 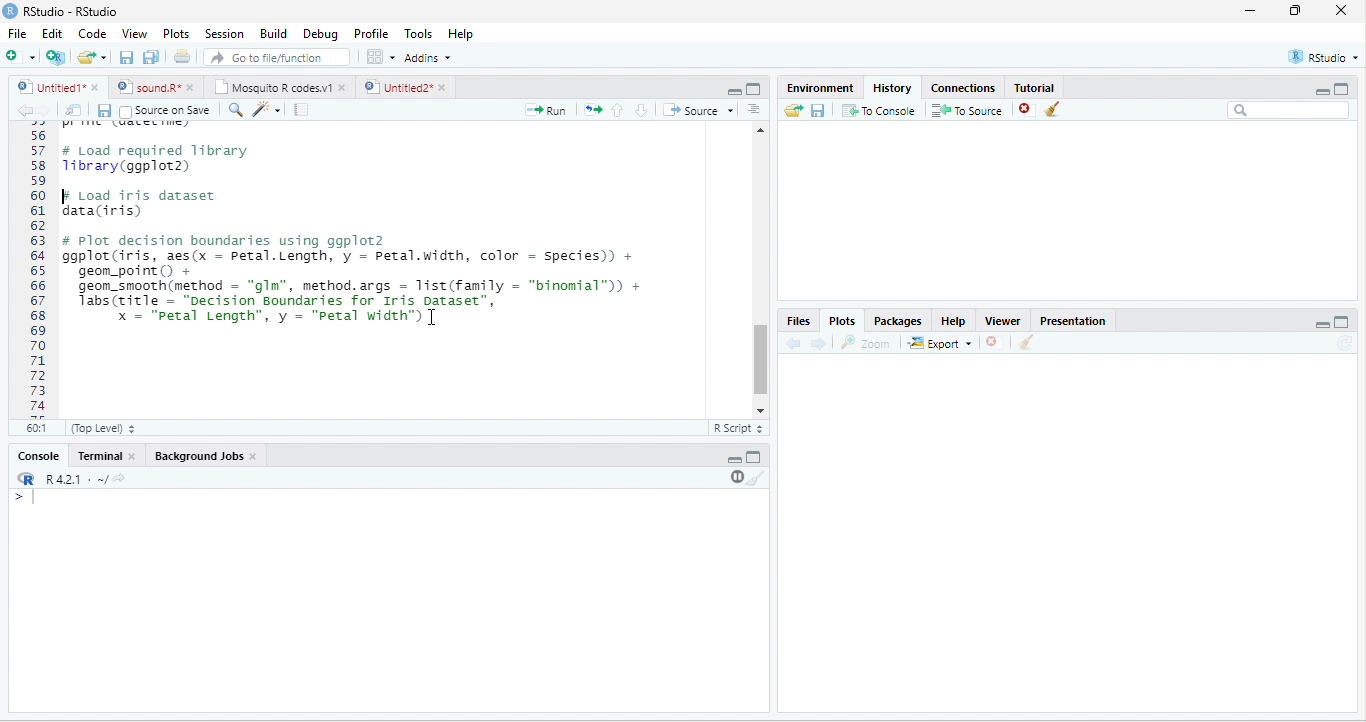 What do you see at coordinates (864, 343) in the screenshot?
I see `Zoom` at bounding box center [864, 343].